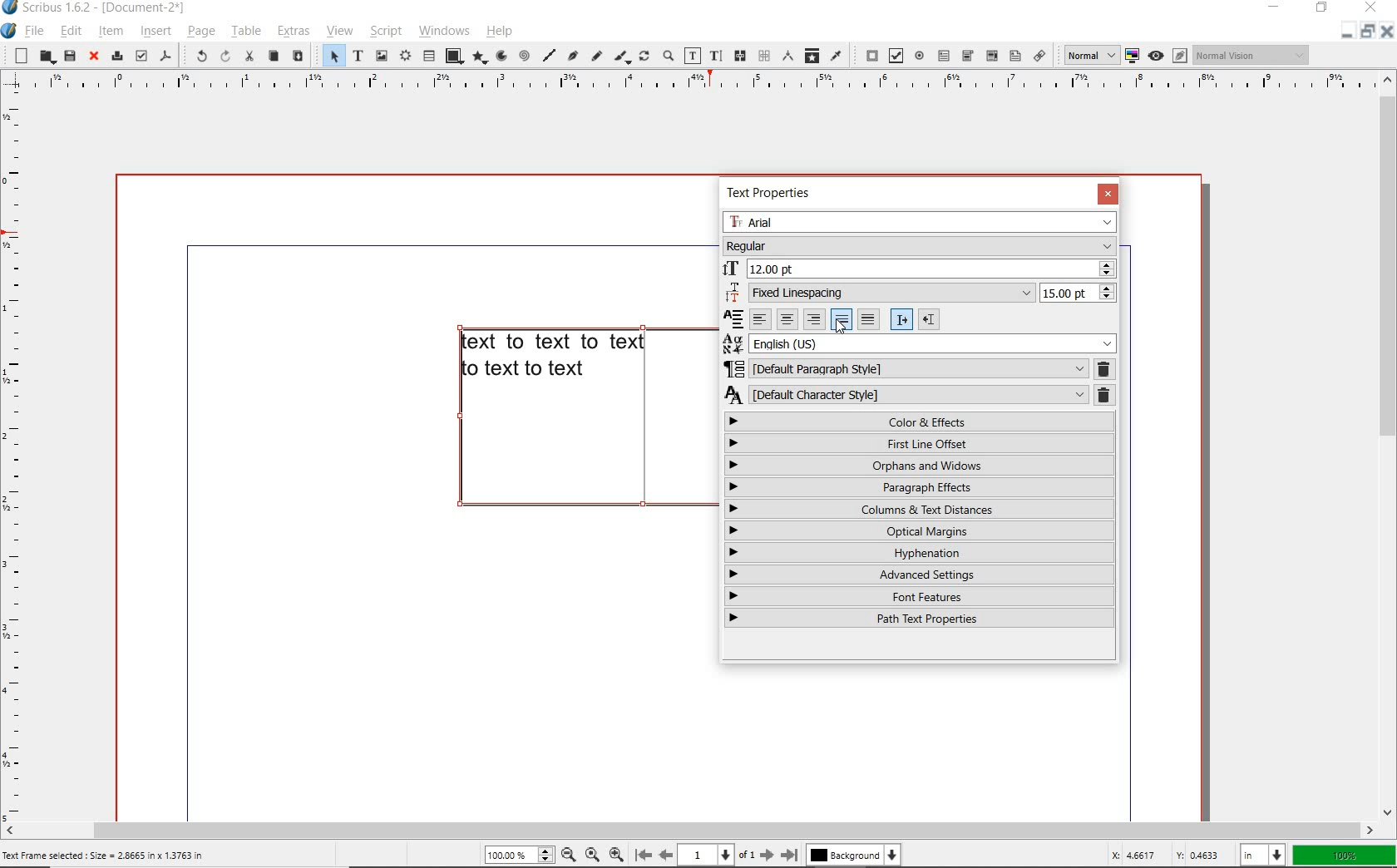  What do you see at coordinates (244, 32) in the screenshot?
I see `table` at bounding box center [244, 32].